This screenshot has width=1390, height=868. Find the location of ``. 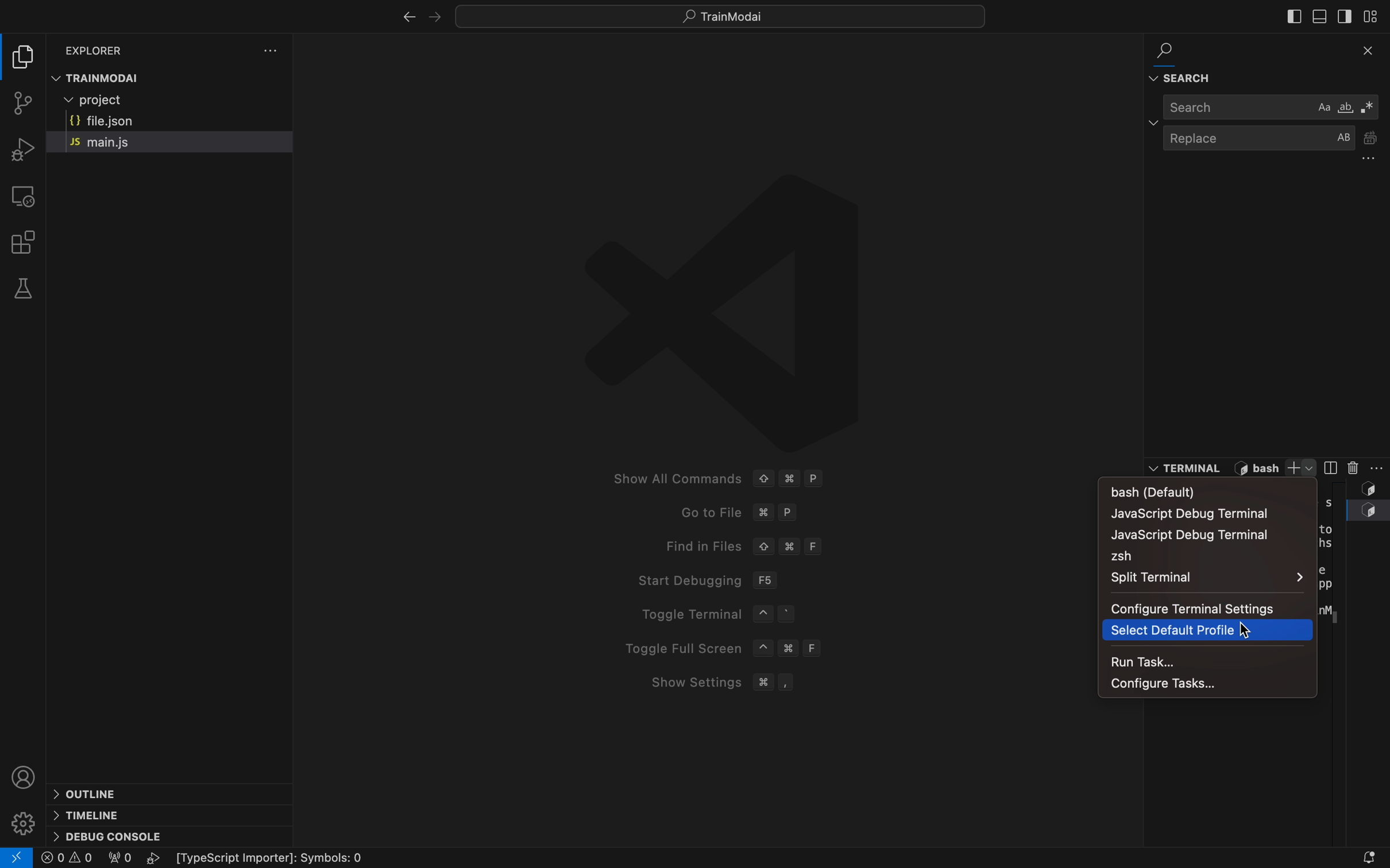

 is located at coordinates (1365, 487).